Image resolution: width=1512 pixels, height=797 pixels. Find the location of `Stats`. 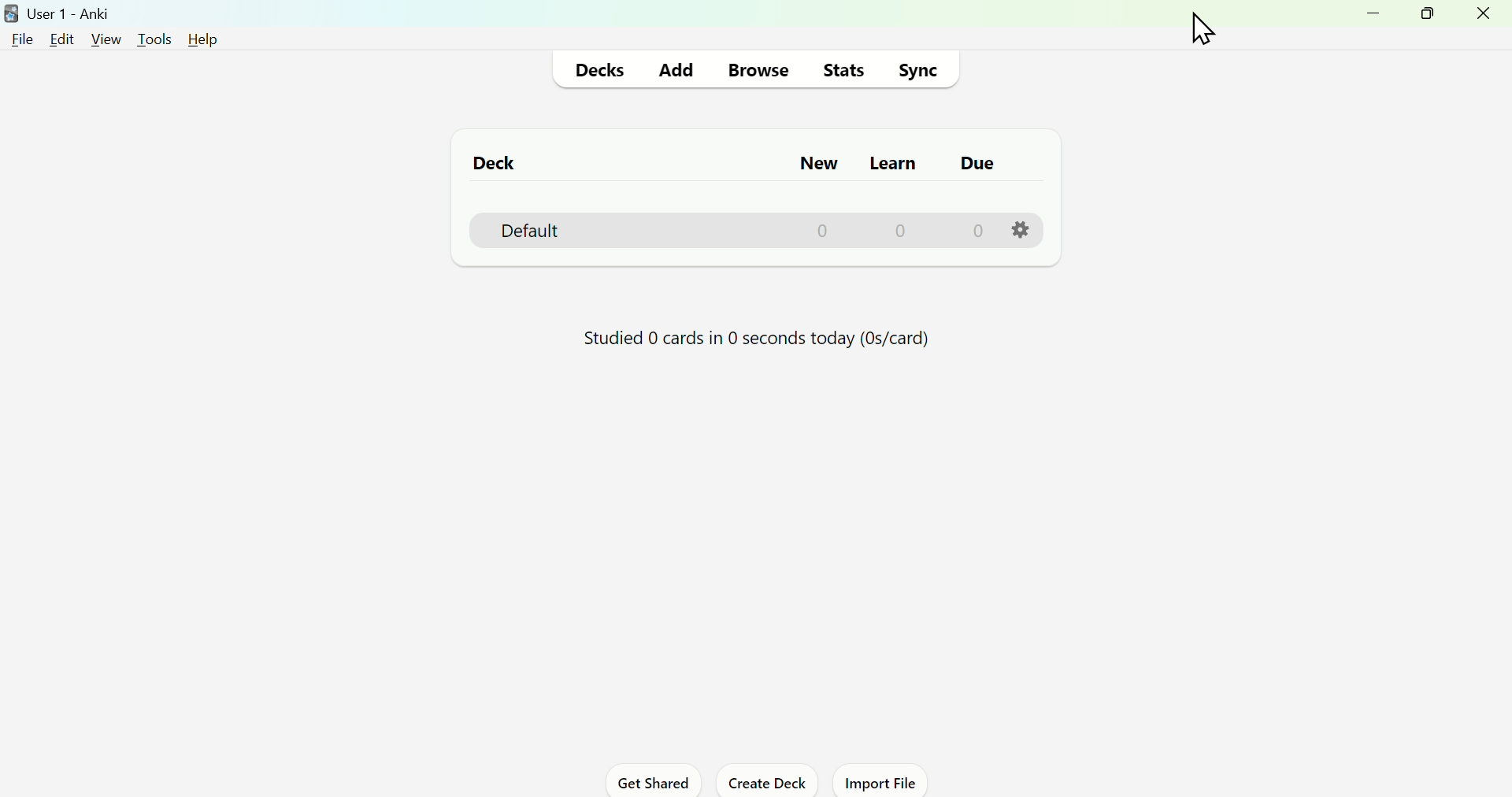

Stats is located at coordinates (842, 71).